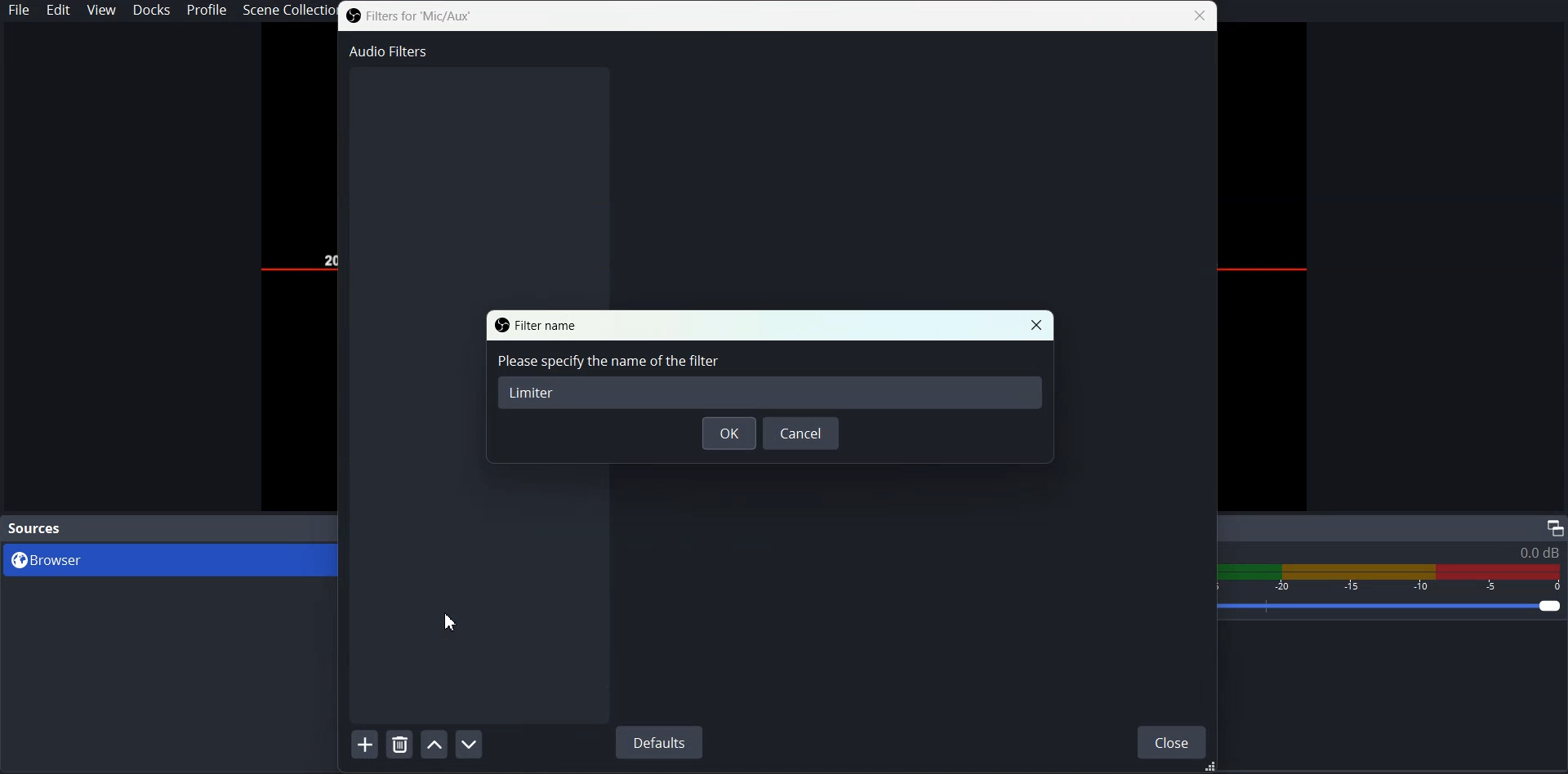 Image resolution: width=1568 pixels, height=774 pixels. Describe the element at coordinates (801, 434) in the screenshot. I see `Cancel` at that location.